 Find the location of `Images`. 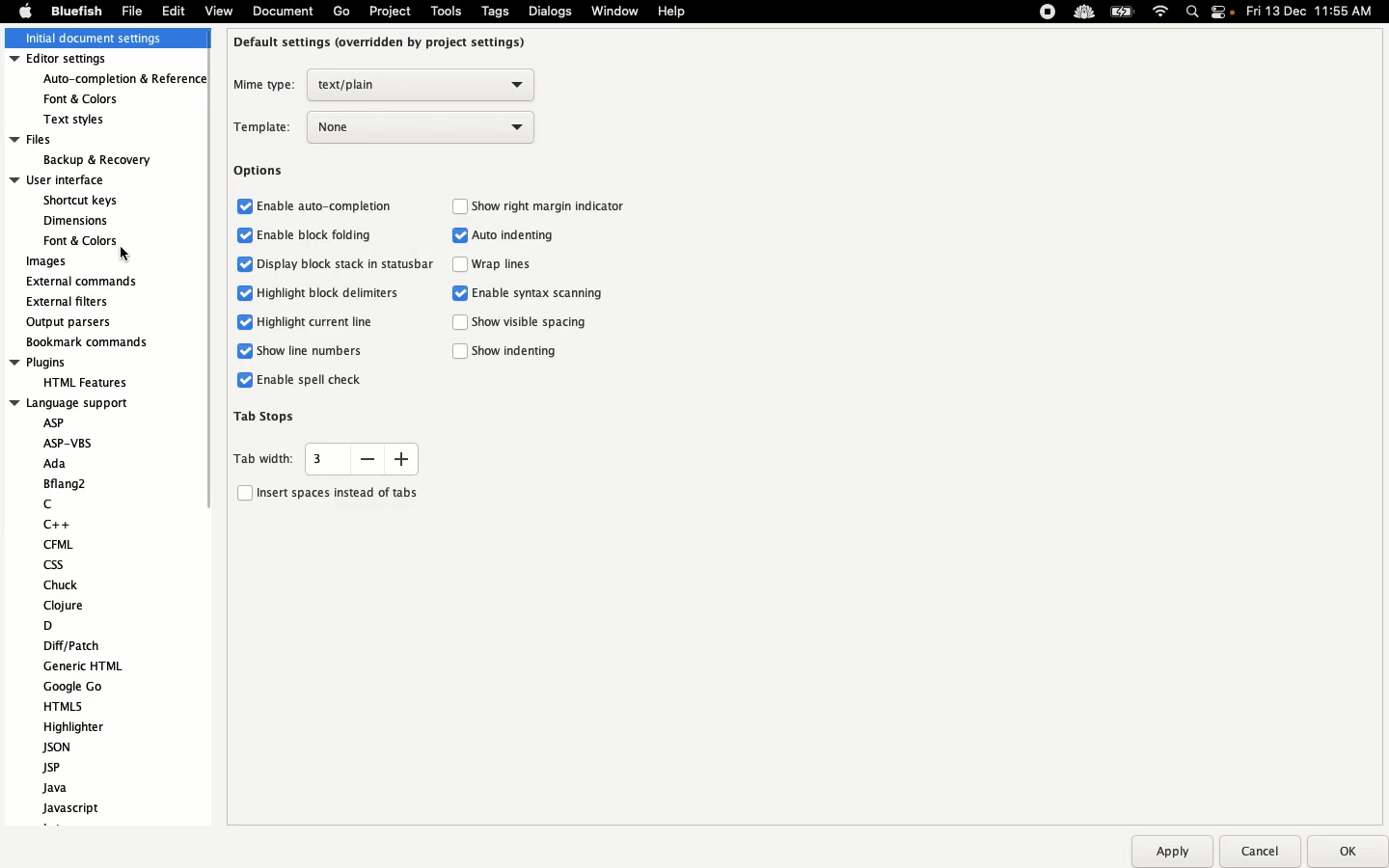

Images is located at coordinates (48, 262).